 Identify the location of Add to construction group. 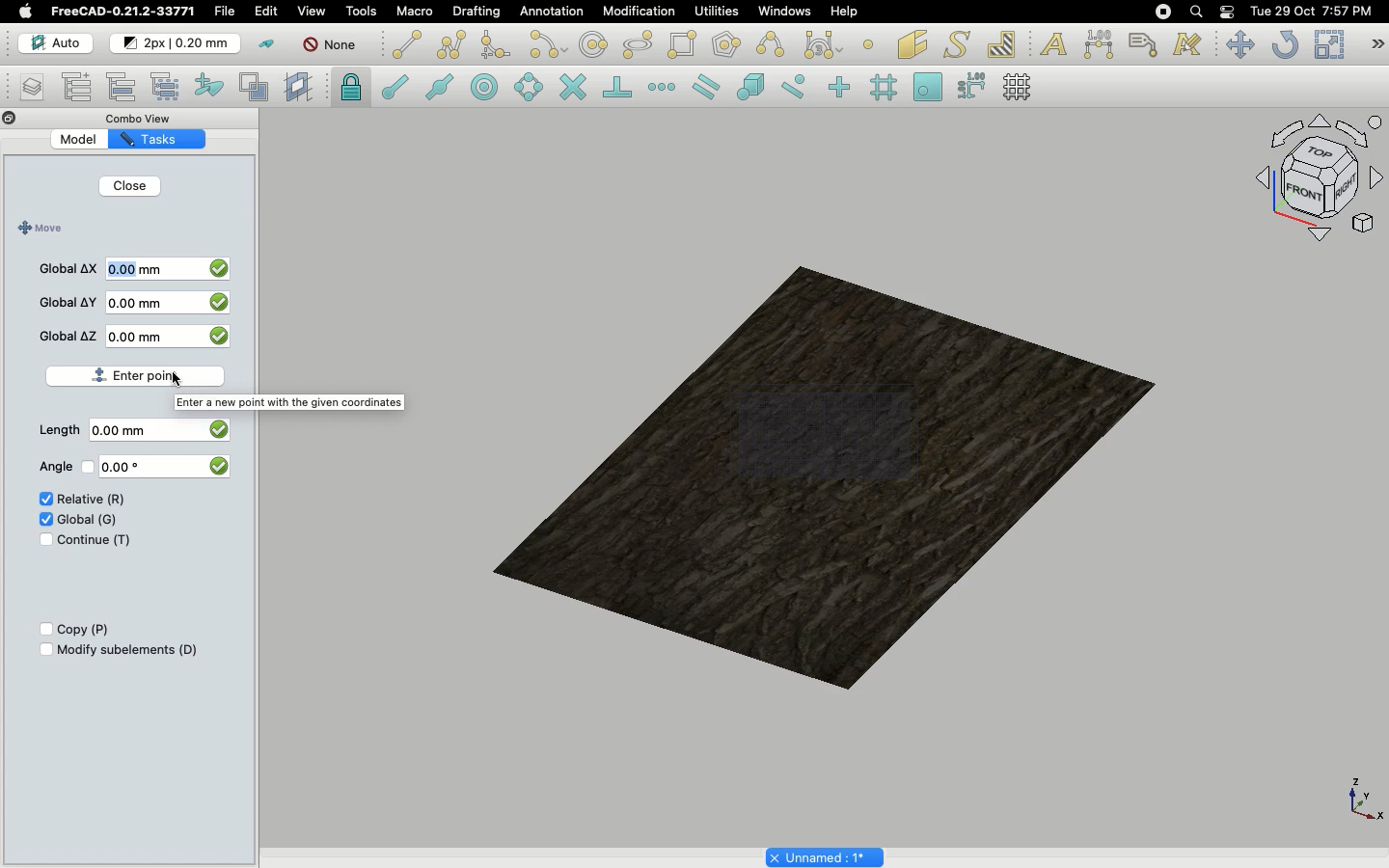
(210, 84).